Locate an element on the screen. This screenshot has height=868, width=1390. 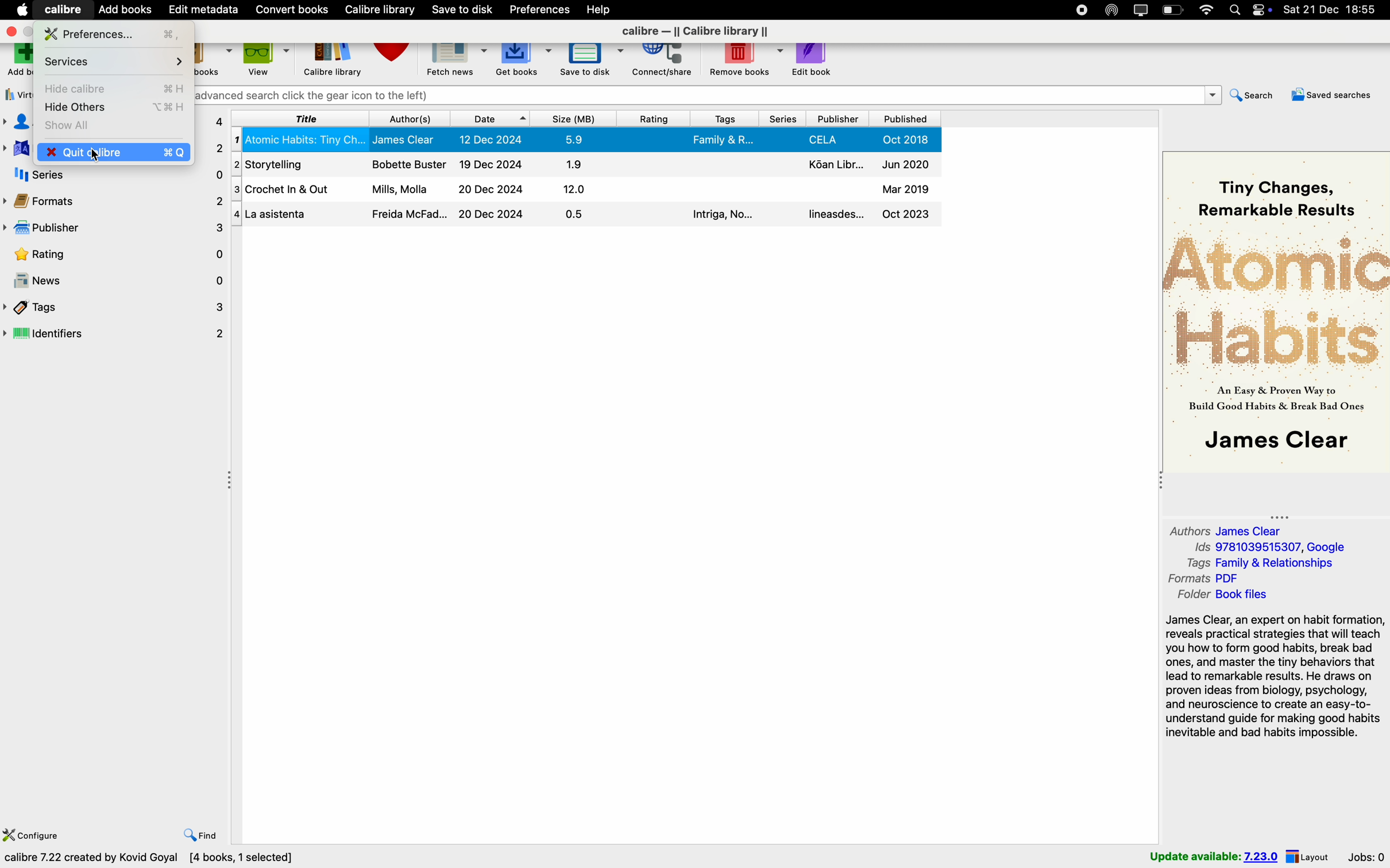
cursor is located at coordinates (88, 153).